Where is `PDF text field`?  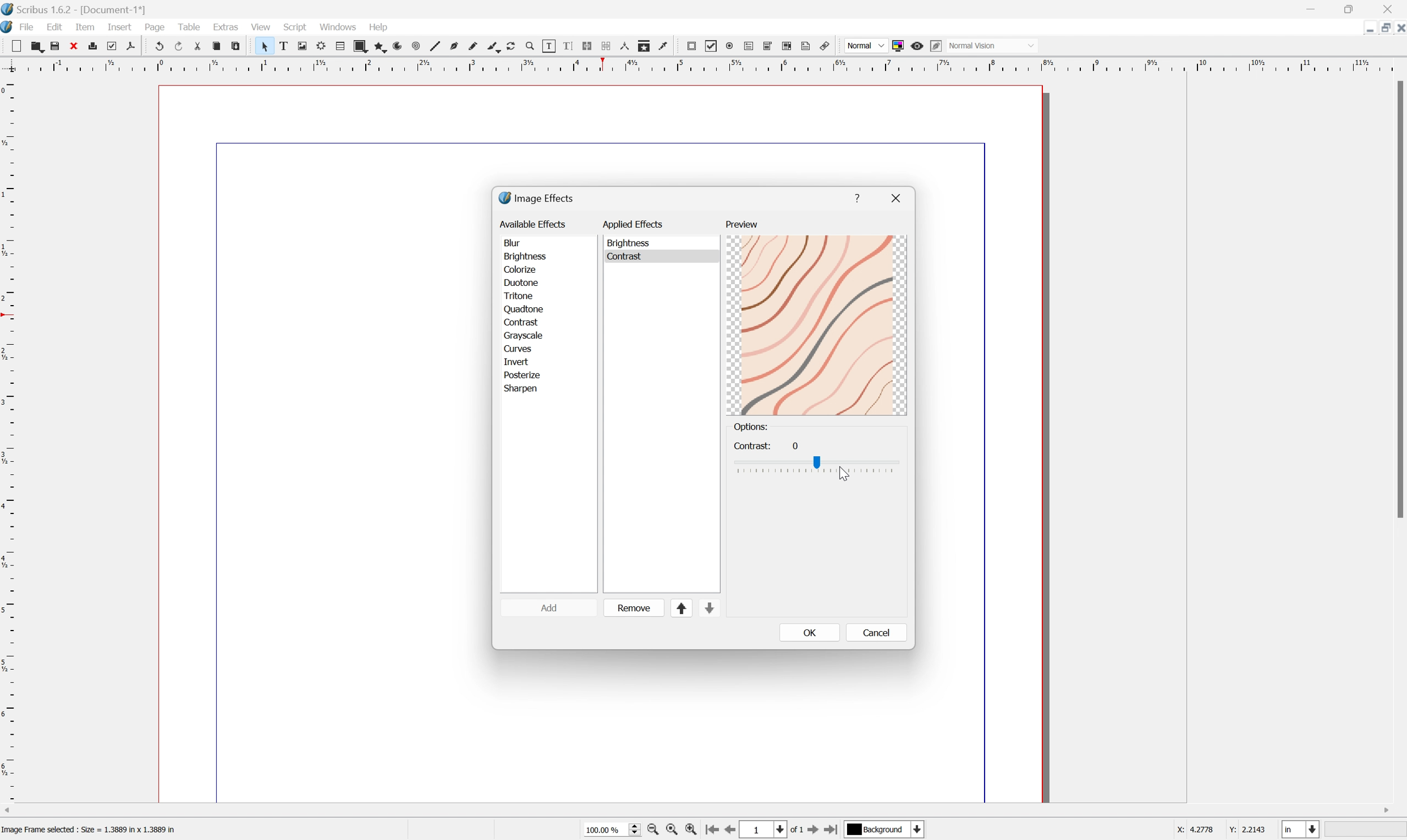
PDF text field is located at coordinates (747, 47).